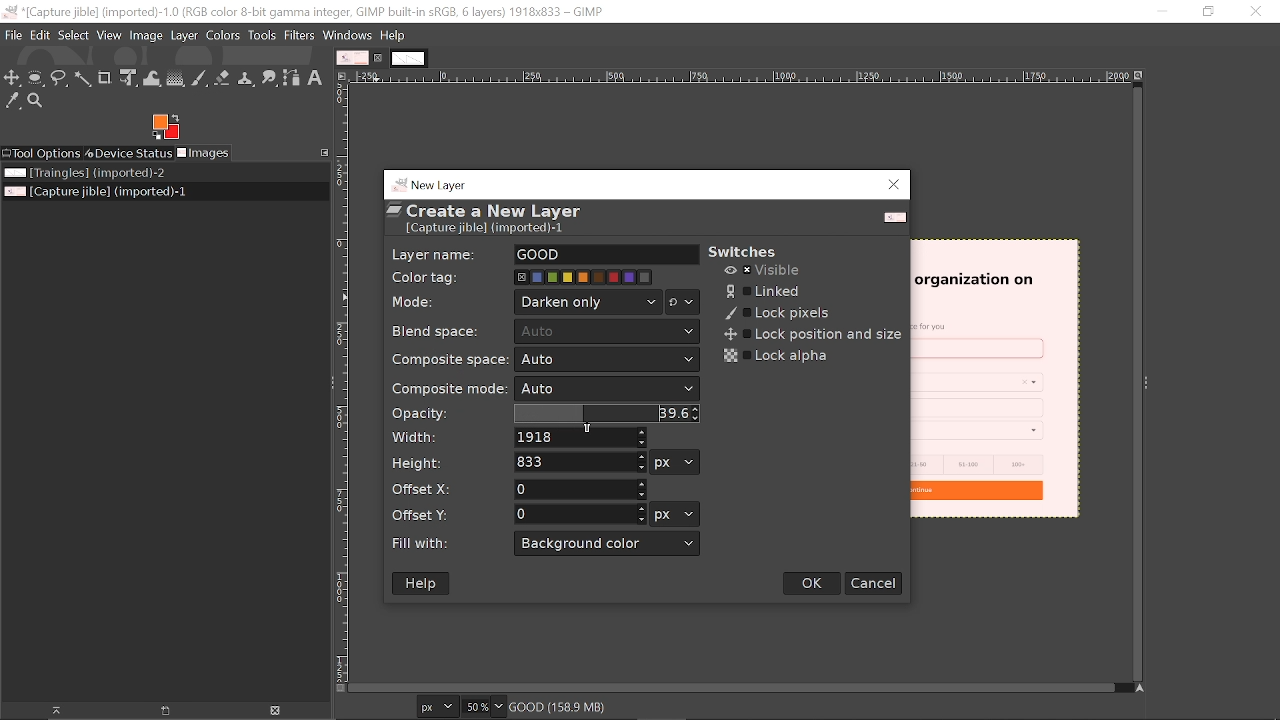 The height and width of the screenshot is (720, 1280). Describe the element at coordinates (316, 77) in the screenshot. I see `Text tool` at that location.